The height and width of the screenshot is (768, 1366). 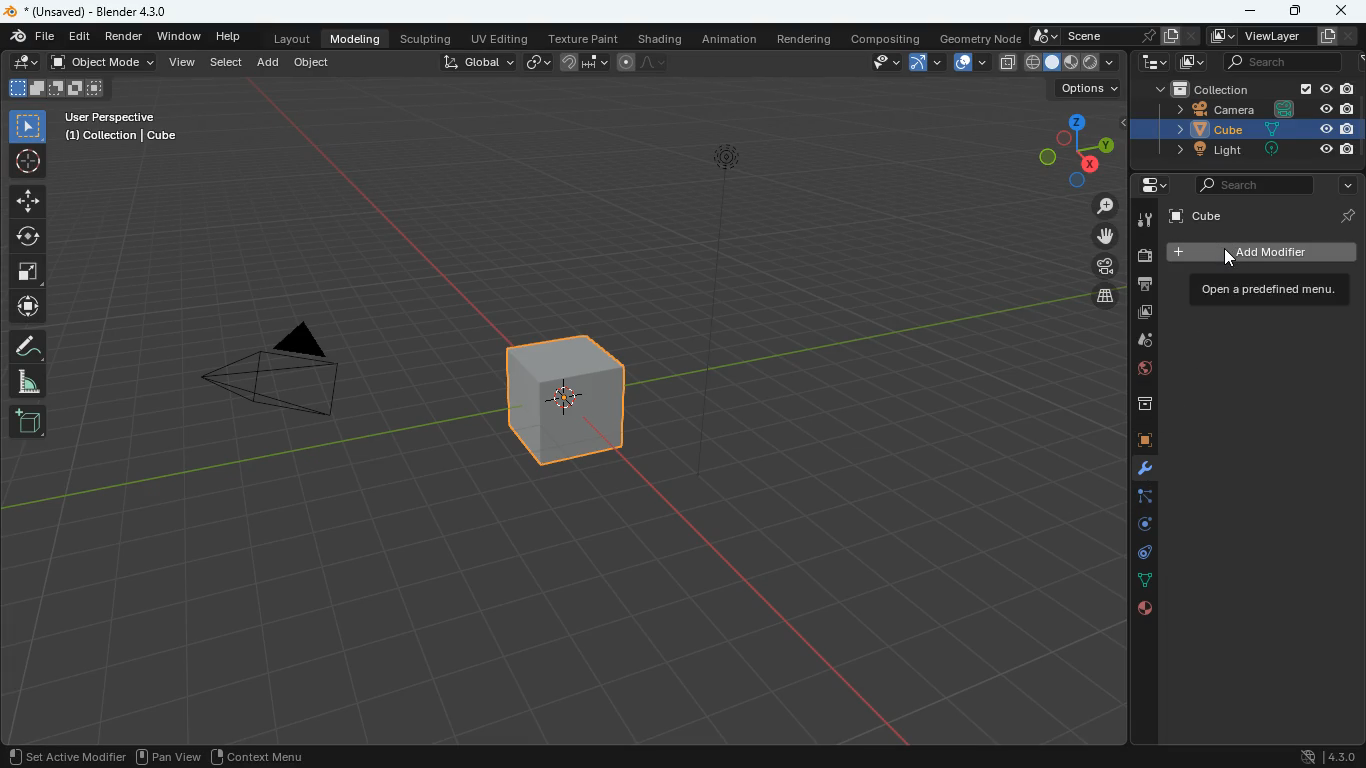 I want to click on dimensions, so click(x=1070, y=149).